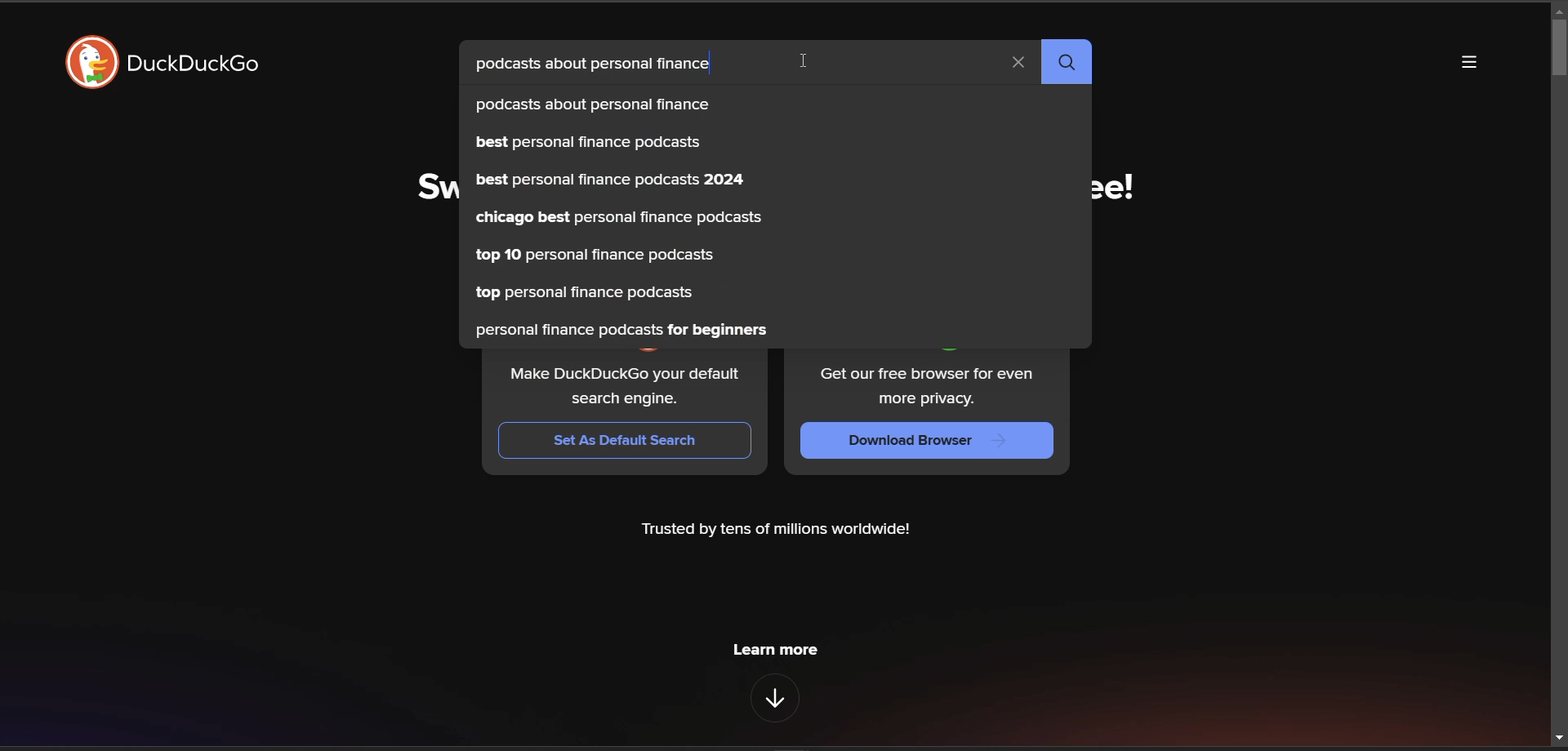 This screenshot has width=1568, height=751. What do you see at coordinates (1467, 62) in the screenshot?
I see `more options` at bounding box center [1467, 62].